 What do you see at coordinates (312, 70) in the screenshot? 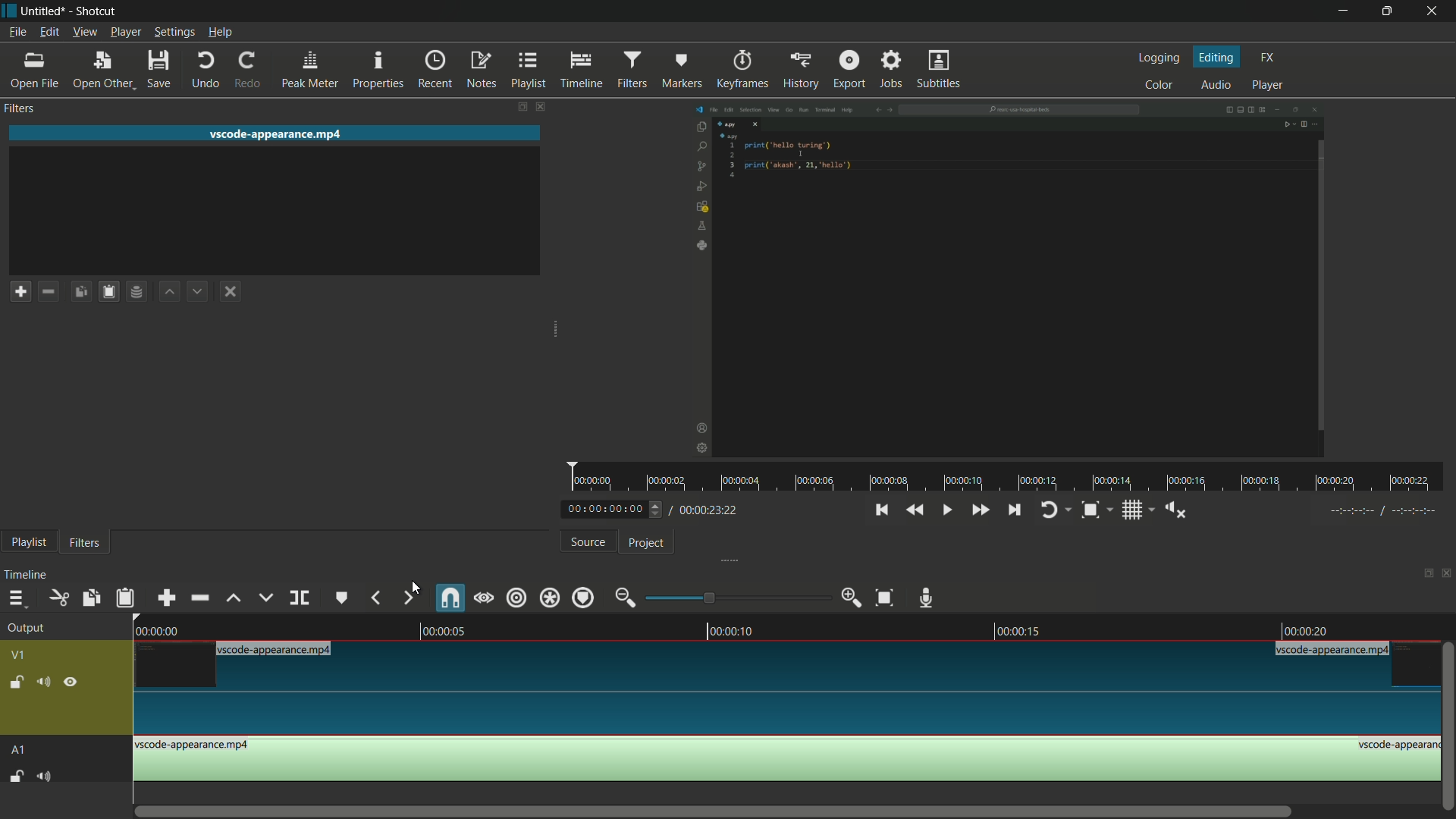
I see `peak meter` at bounding box center [312, 70].